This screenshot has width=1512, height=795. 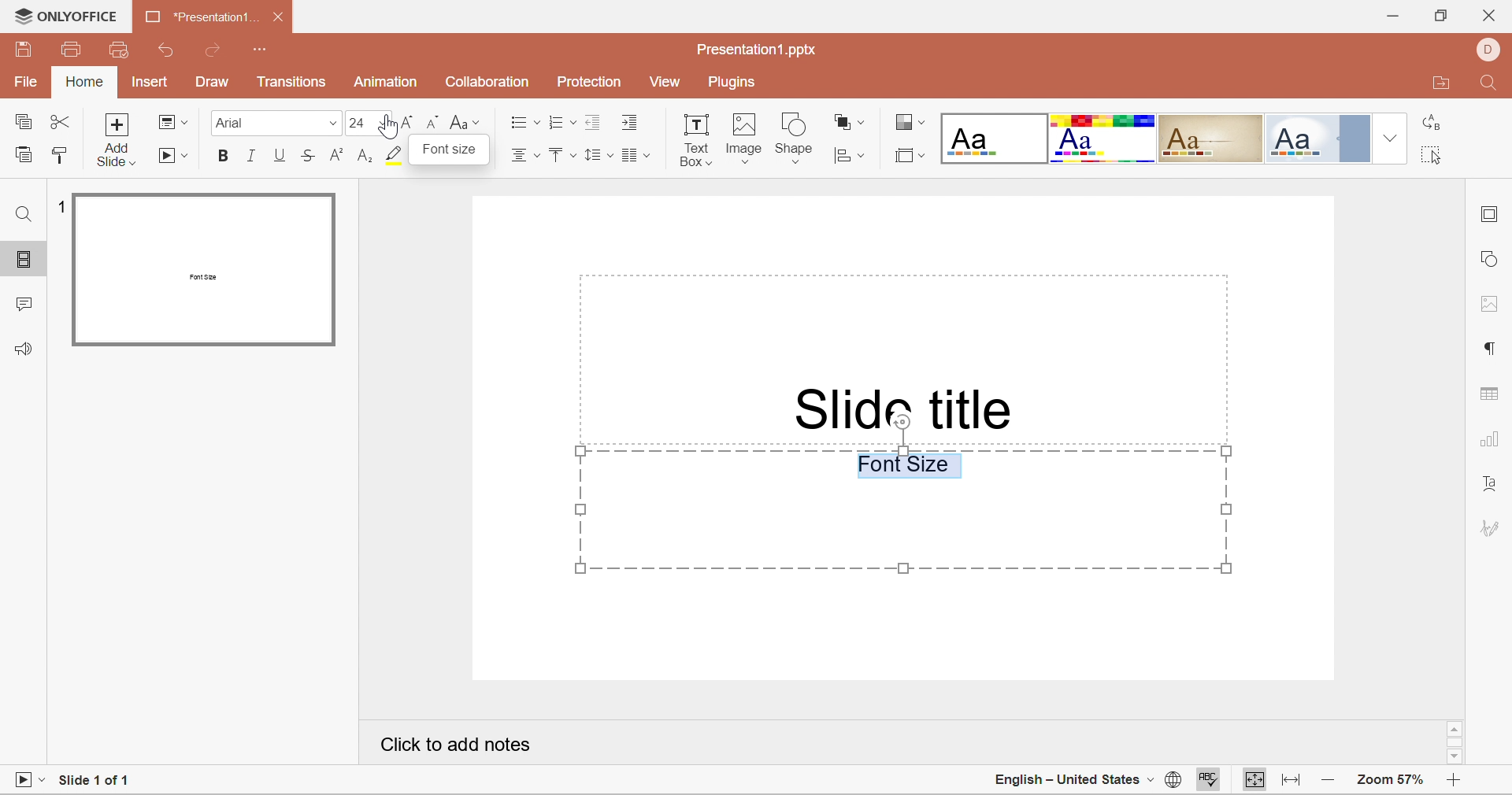 What do you see at coordinates (282, 20) in the screenshot?
I see `Close` at bounding box center [282, 20].